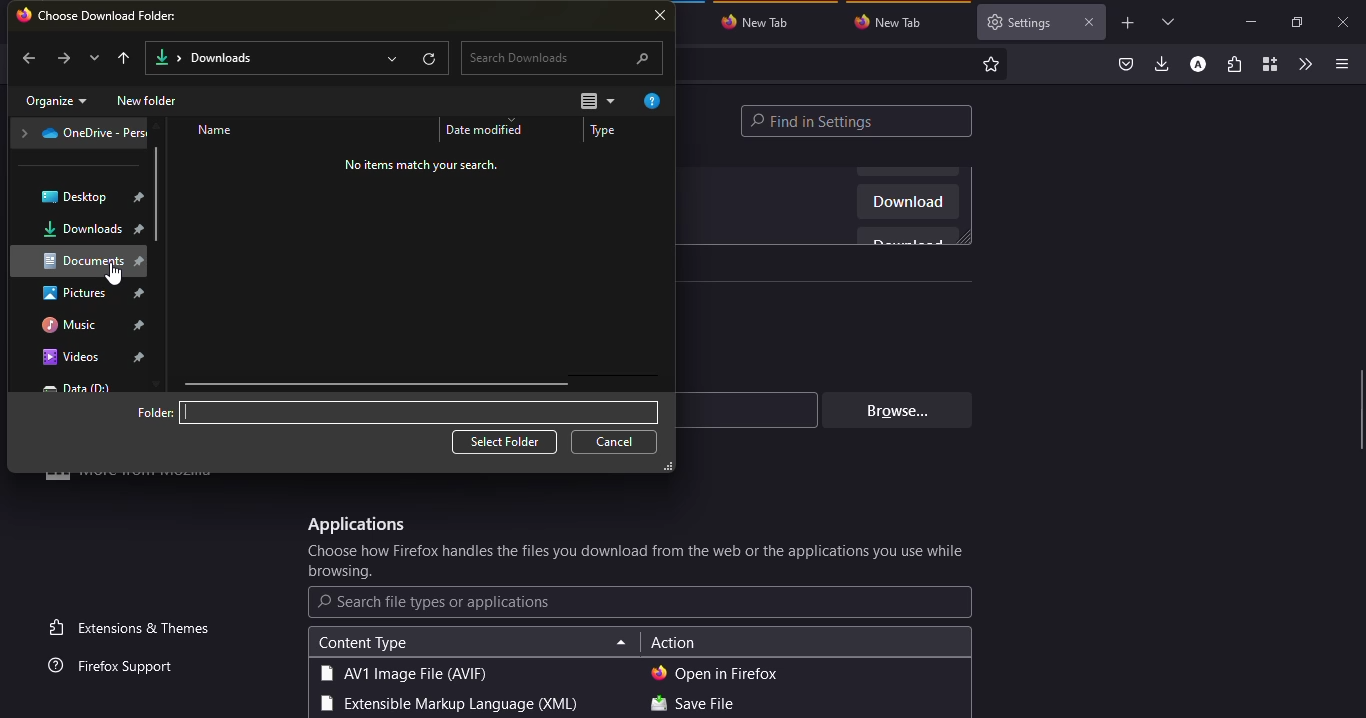  What do you see at coordinates (715, 673) in the screenshot?
I see `open` at bounding box center [715, 673].